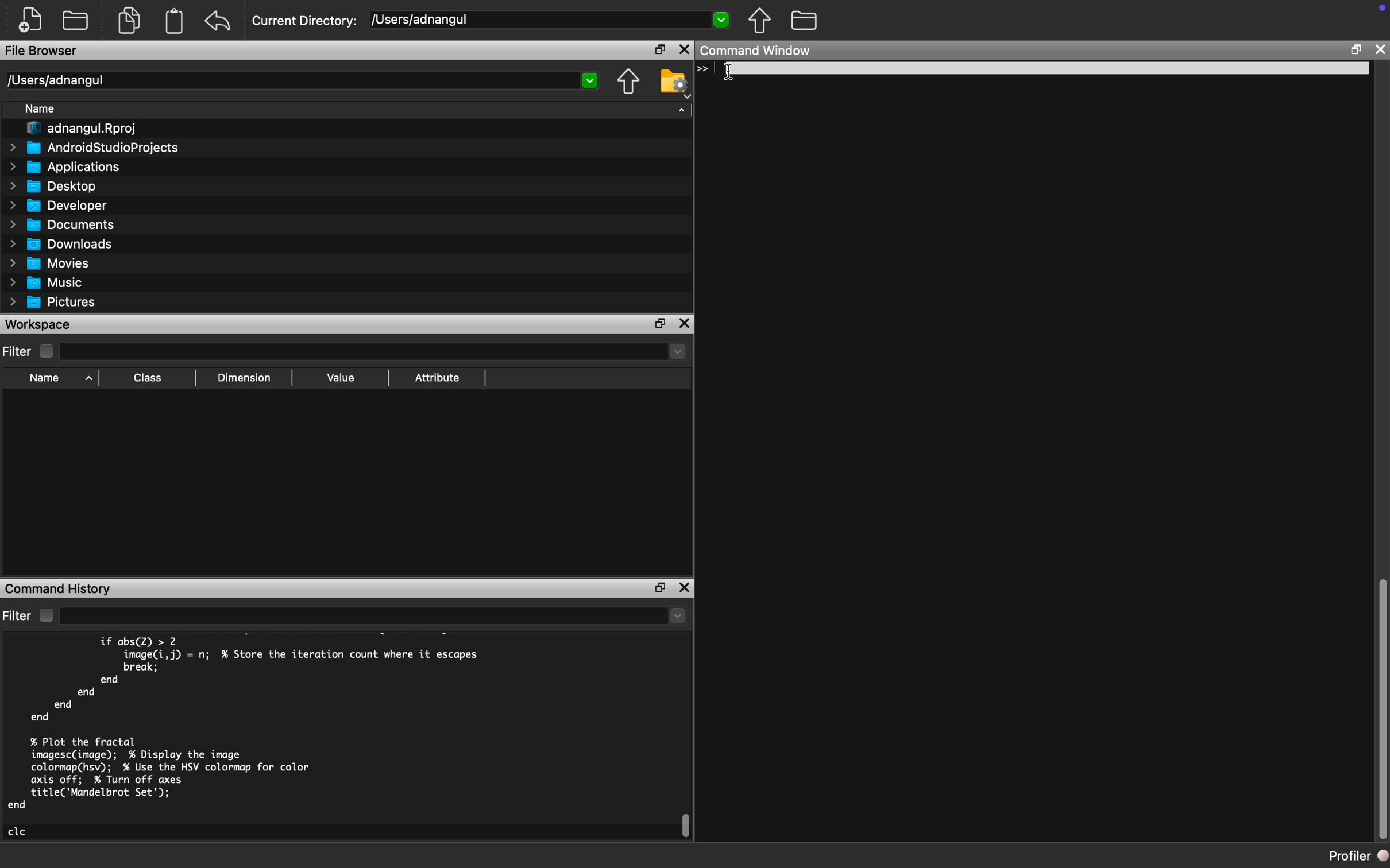 The height and width of the screenshot is (868, 1390). Describe the element at coordinates (249, 378) in the screenshot. I see `Dimension` at that location.